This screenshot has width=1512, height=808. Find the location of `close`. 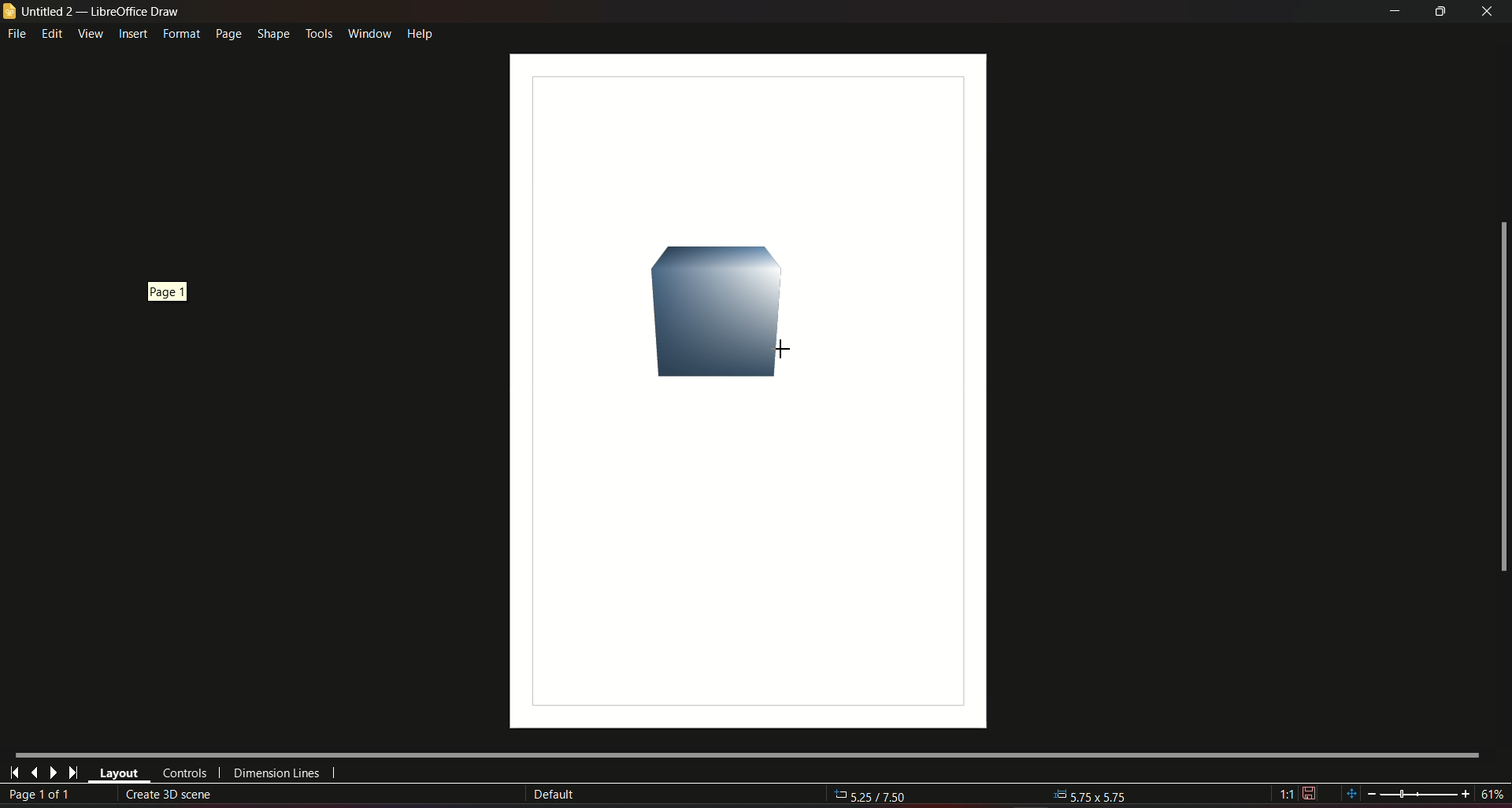

close is located at coordinates (1488, 11).